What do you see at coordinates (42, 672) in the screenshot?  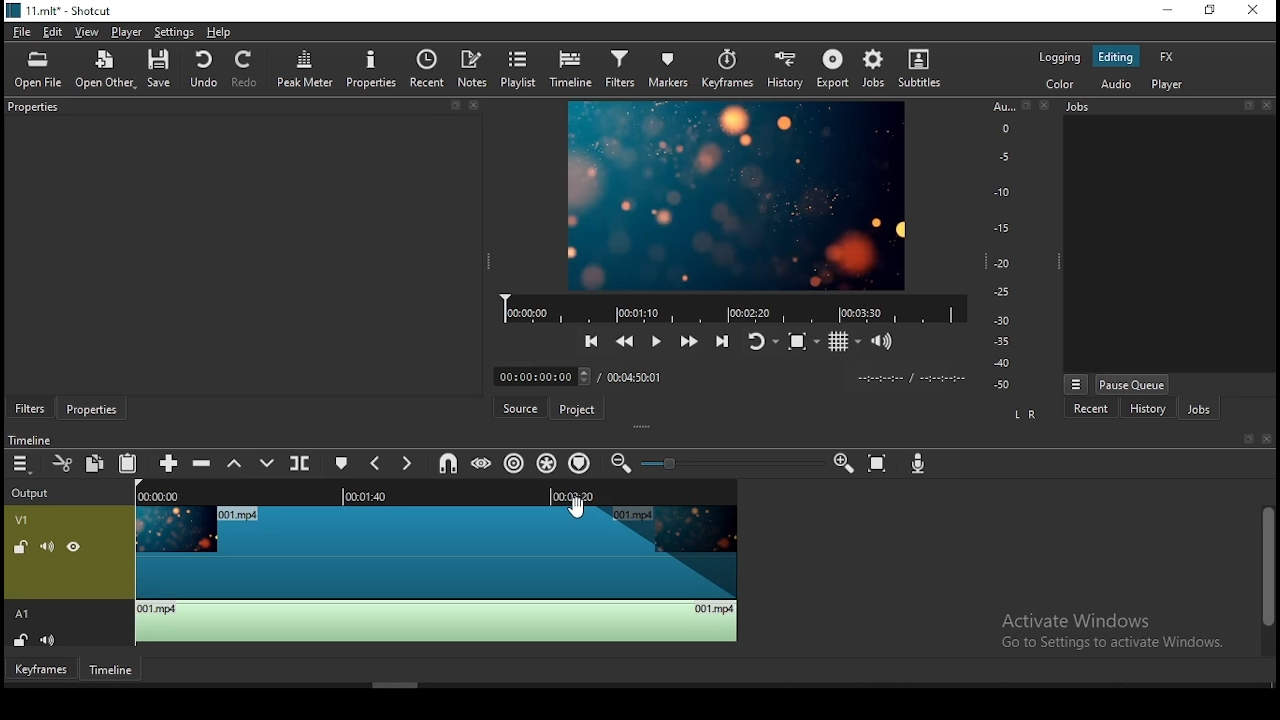 I see `keyframes` at bounding box center [42, 672].